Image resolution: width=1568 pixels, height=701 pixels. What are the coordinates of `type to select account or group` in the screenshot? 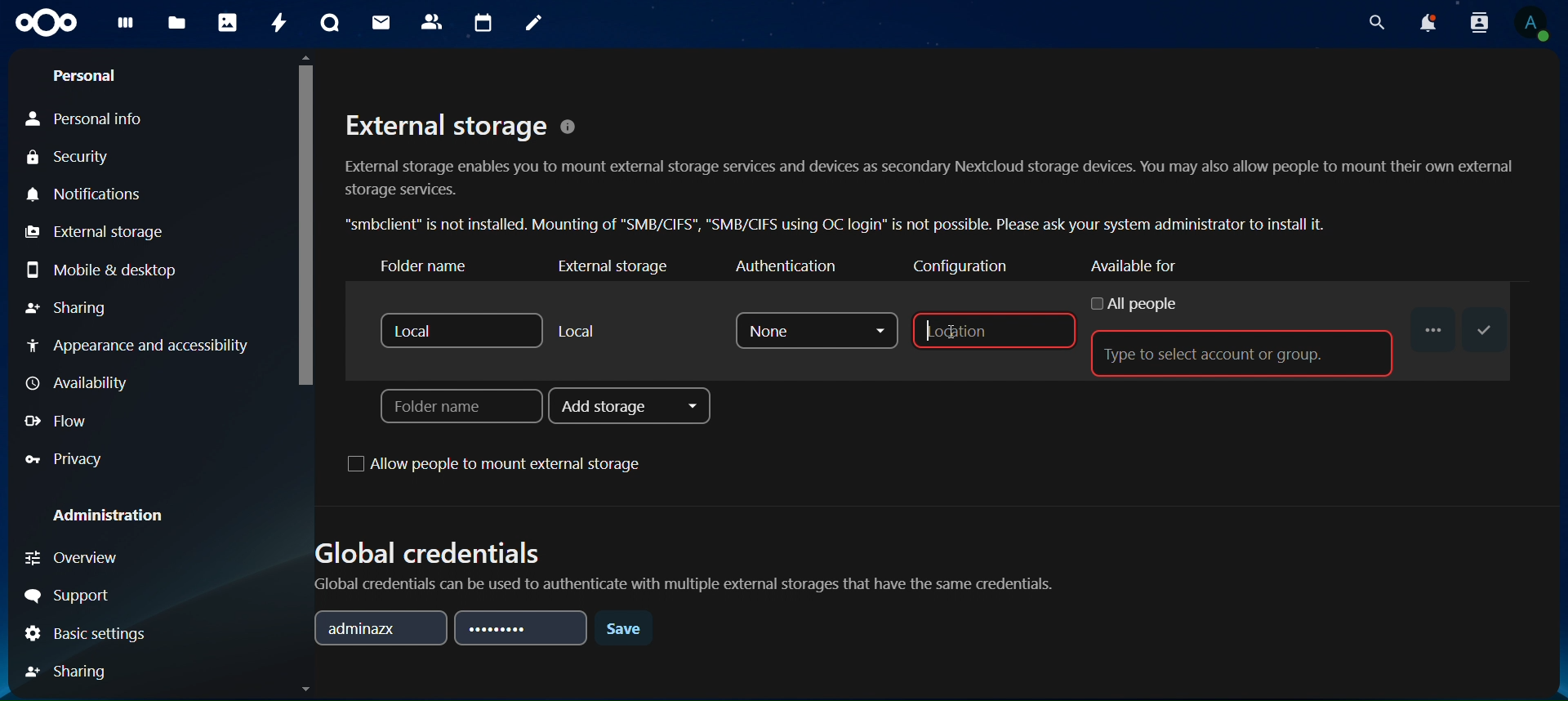 It's located at (1239, 355).